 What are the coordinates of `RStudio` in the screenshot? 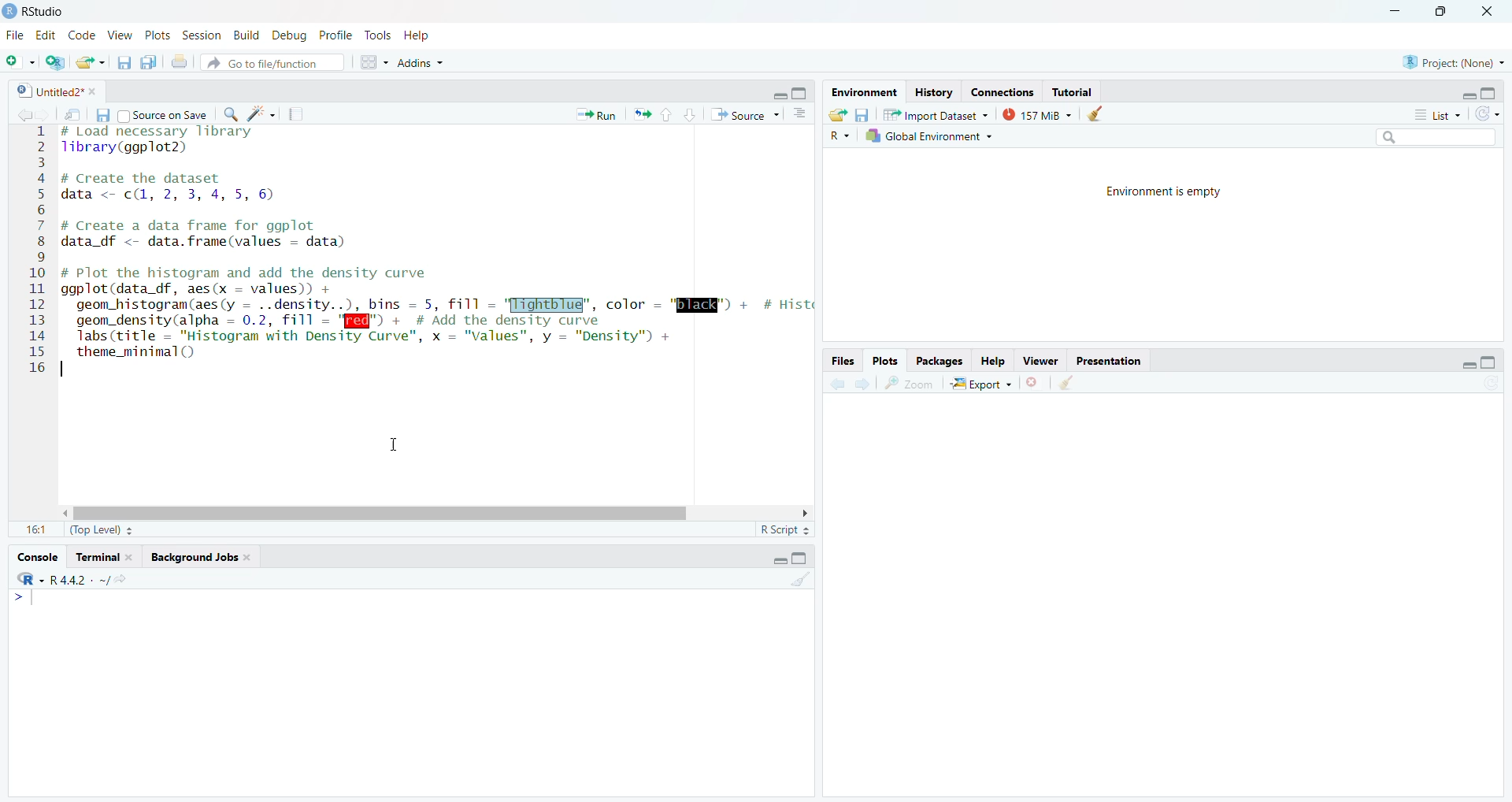 It's located at (36, 11).